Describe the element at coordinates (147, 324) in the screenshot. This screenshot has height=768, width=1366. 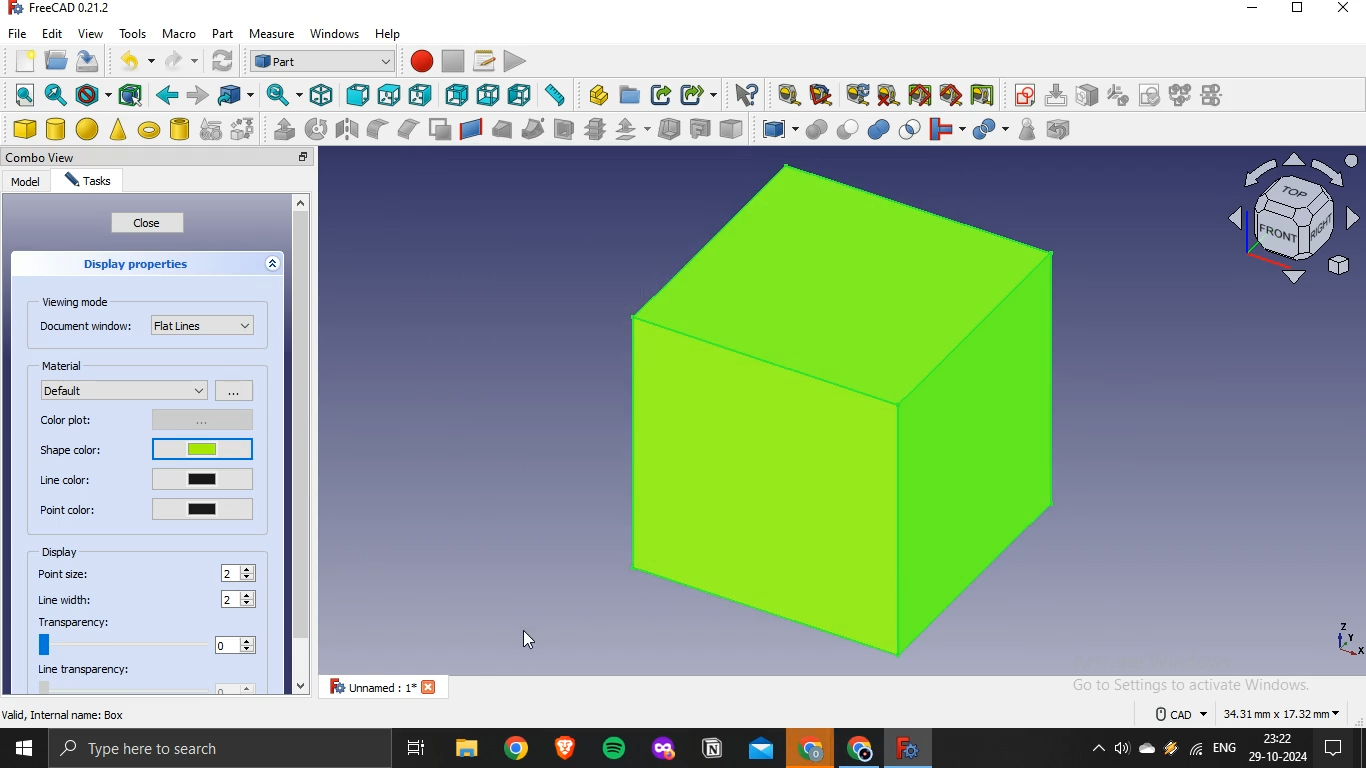
I see `document window` at that location.